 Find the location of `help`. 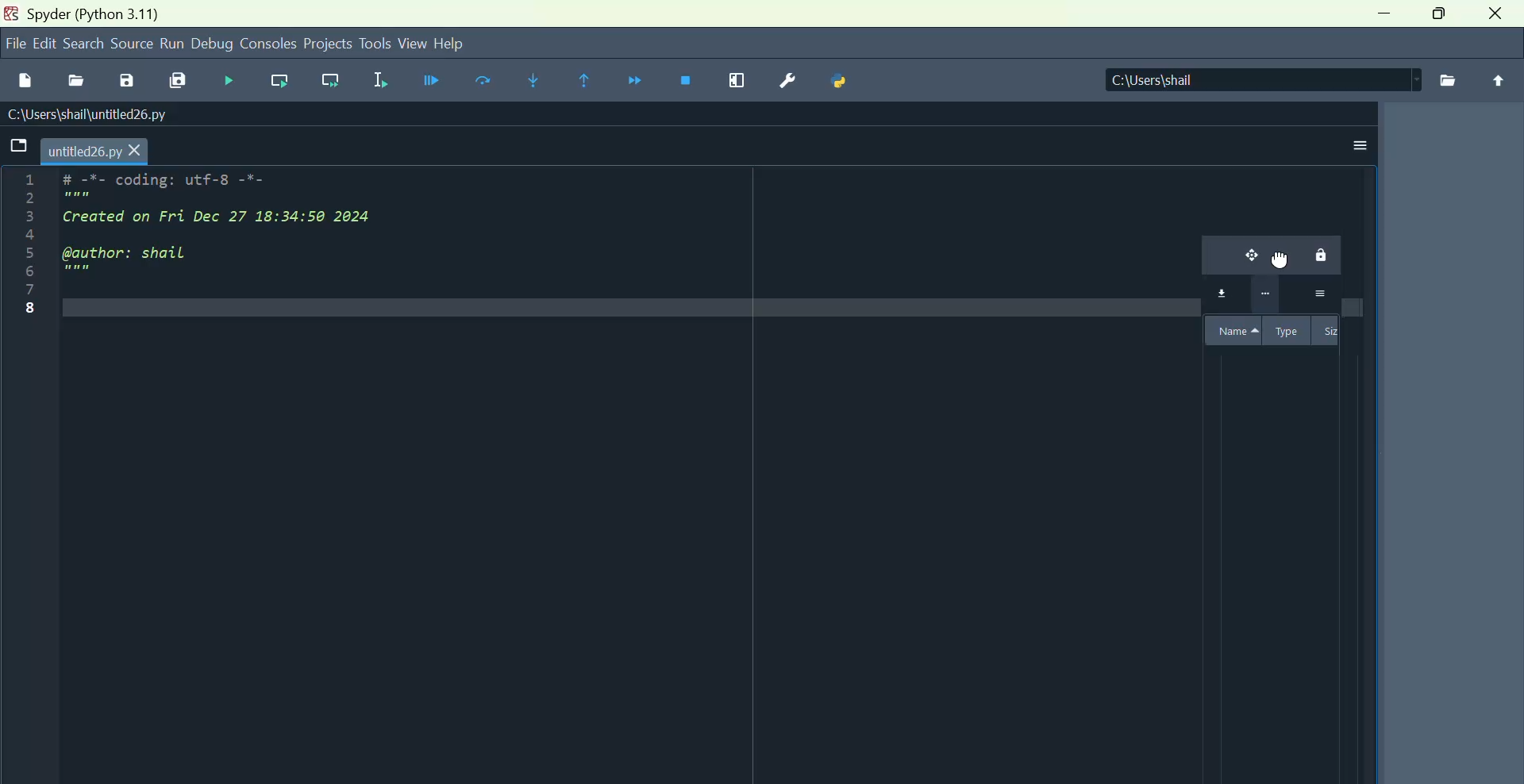

help is located at coordinates (470, 41).